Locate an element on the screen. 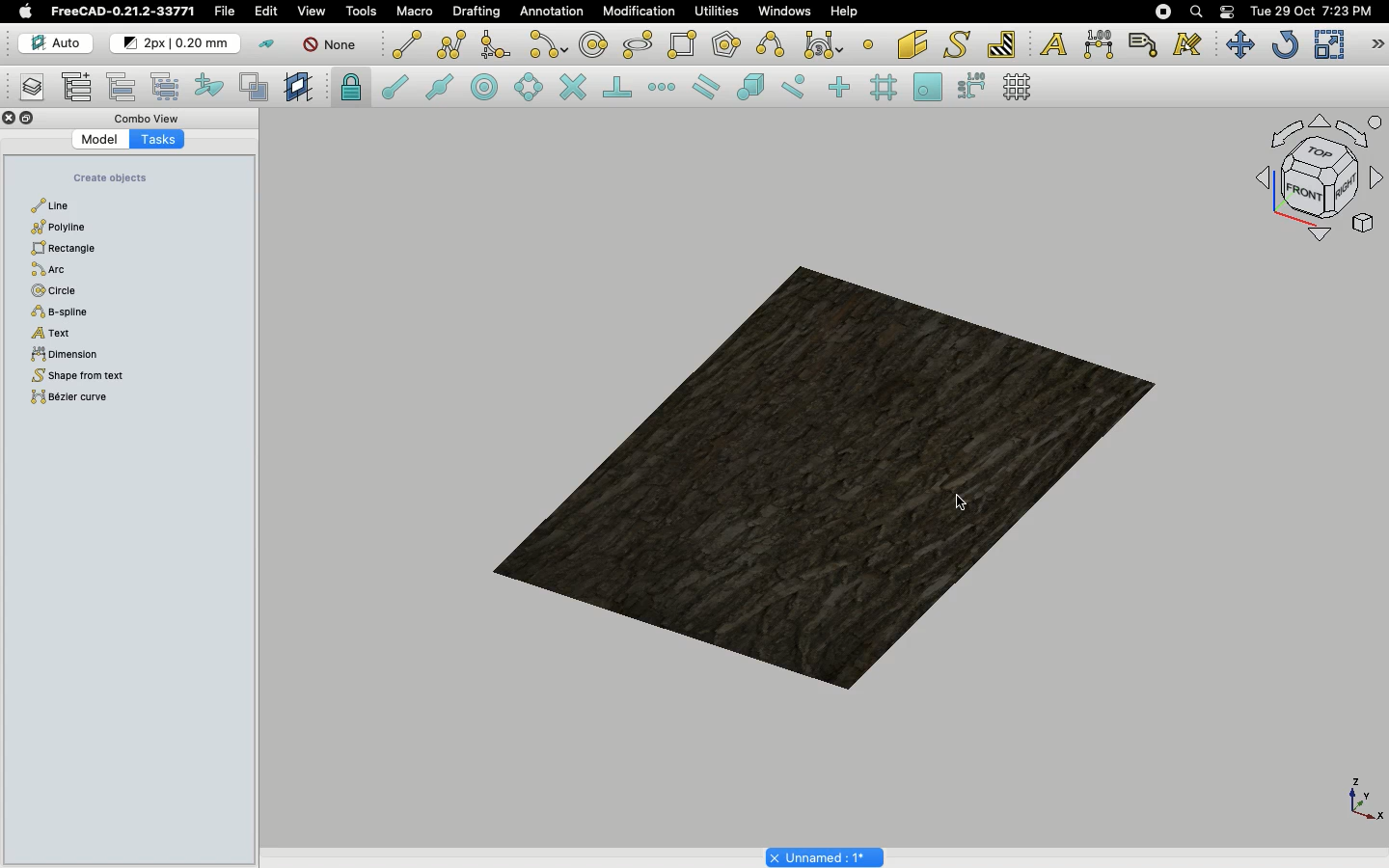  Facebinder is located at coordinates (912, 43).